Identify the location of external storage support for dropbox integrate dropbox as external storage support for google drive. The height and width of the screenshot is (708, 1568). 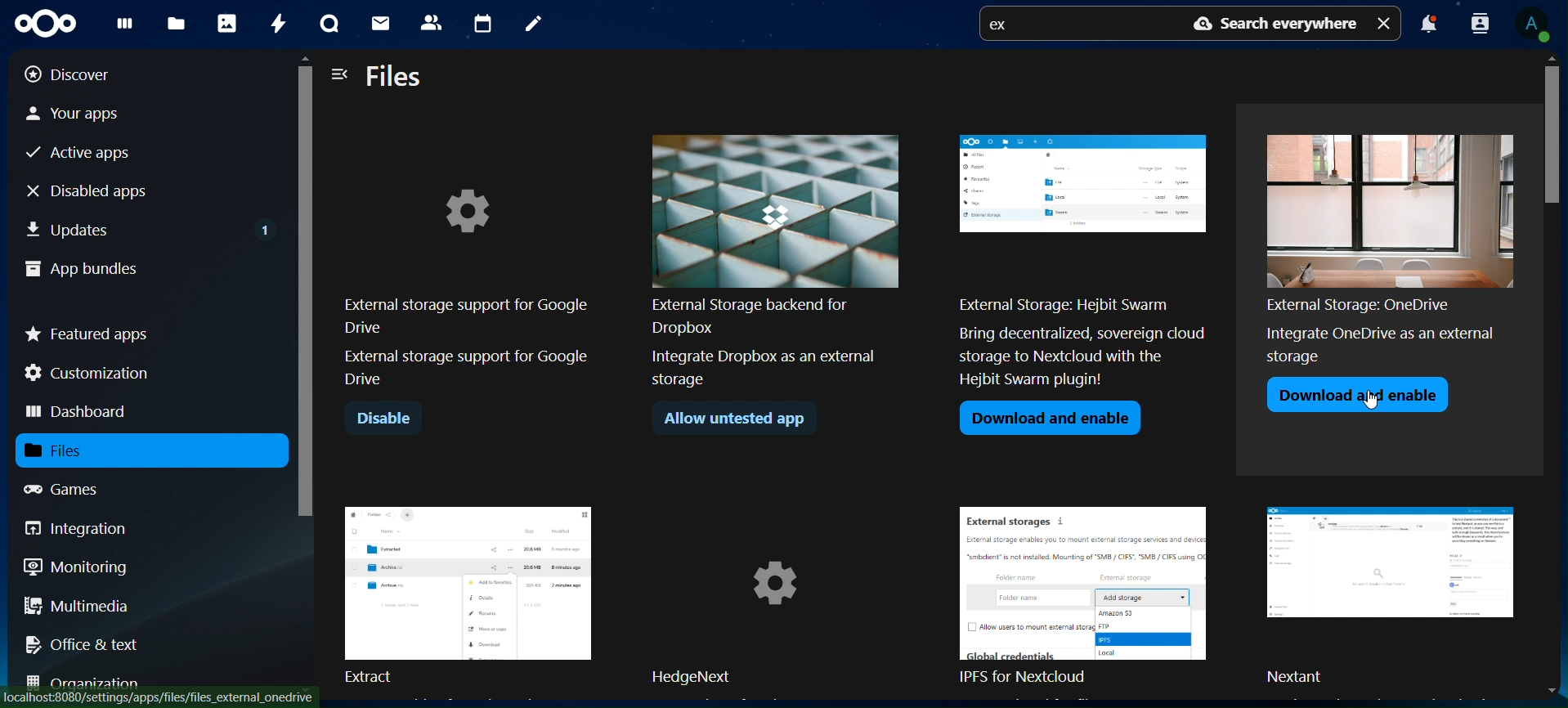
(776, 260).